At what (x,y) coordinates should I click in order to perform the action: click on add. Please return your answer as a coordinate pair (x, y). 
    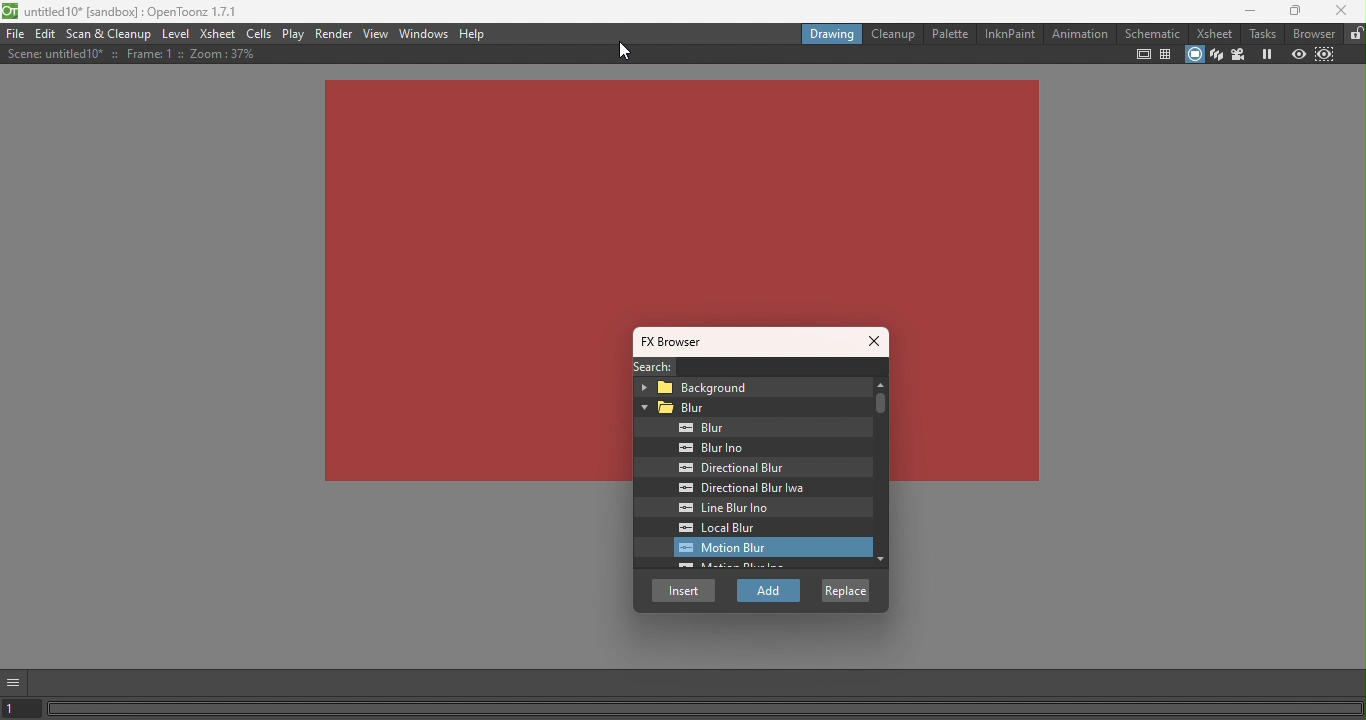
    Looking at the image, I should click on (770, 591).